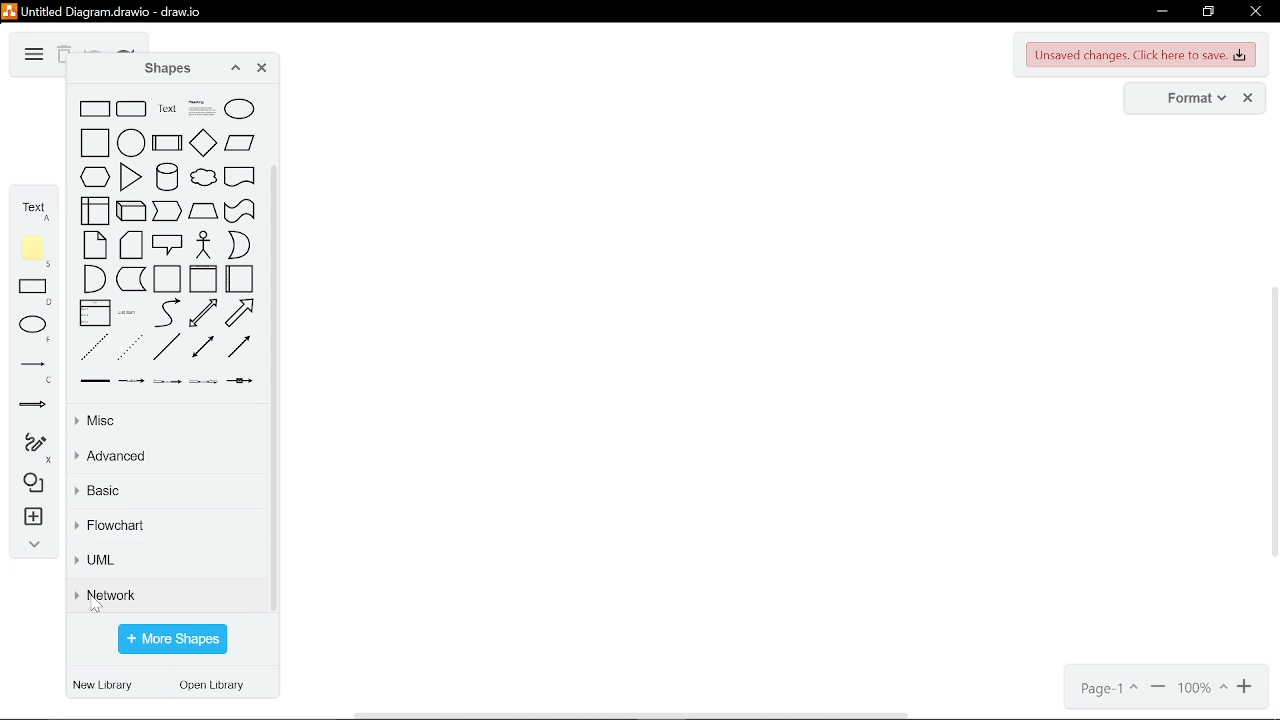  Describe the element at coordinates (202, 108) in the screenshot. I see `heading` at that location.